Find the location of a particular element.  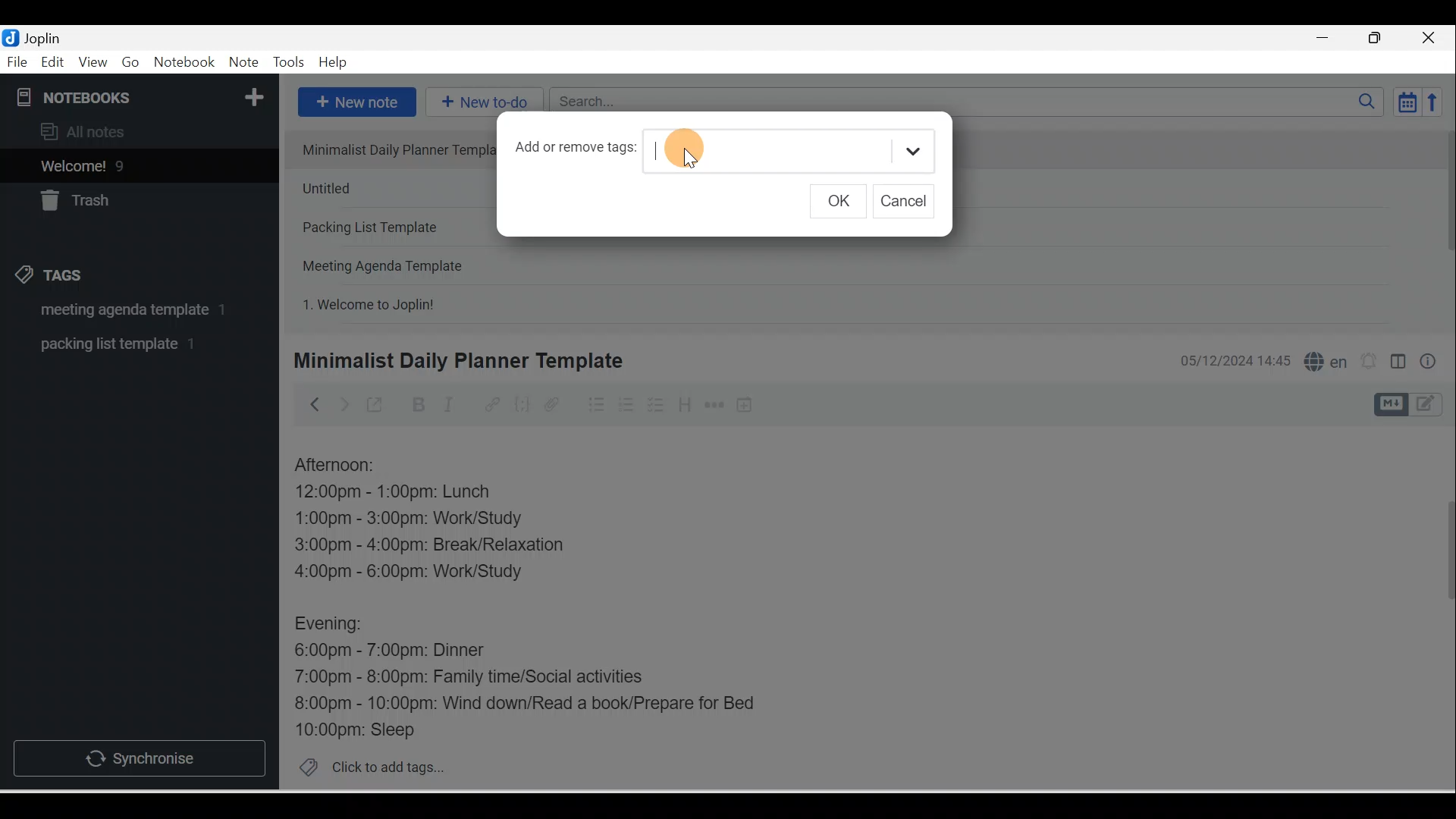

Spelling is located at coordinates (1323, 359).